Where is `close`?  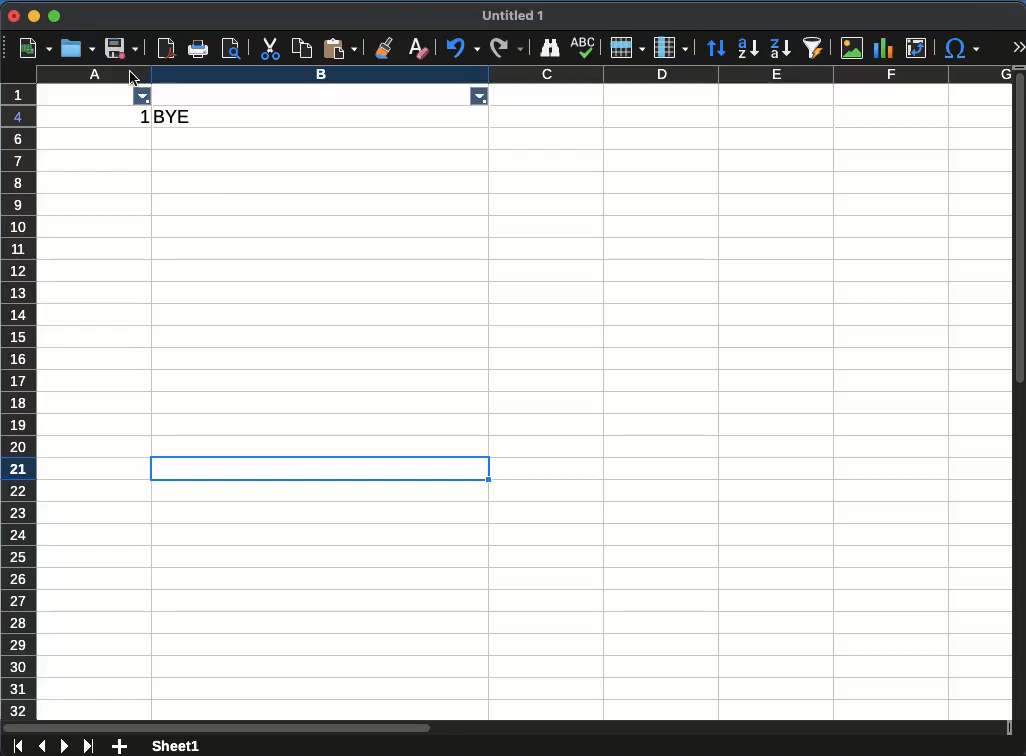 close is located at coordinates (13, 16).